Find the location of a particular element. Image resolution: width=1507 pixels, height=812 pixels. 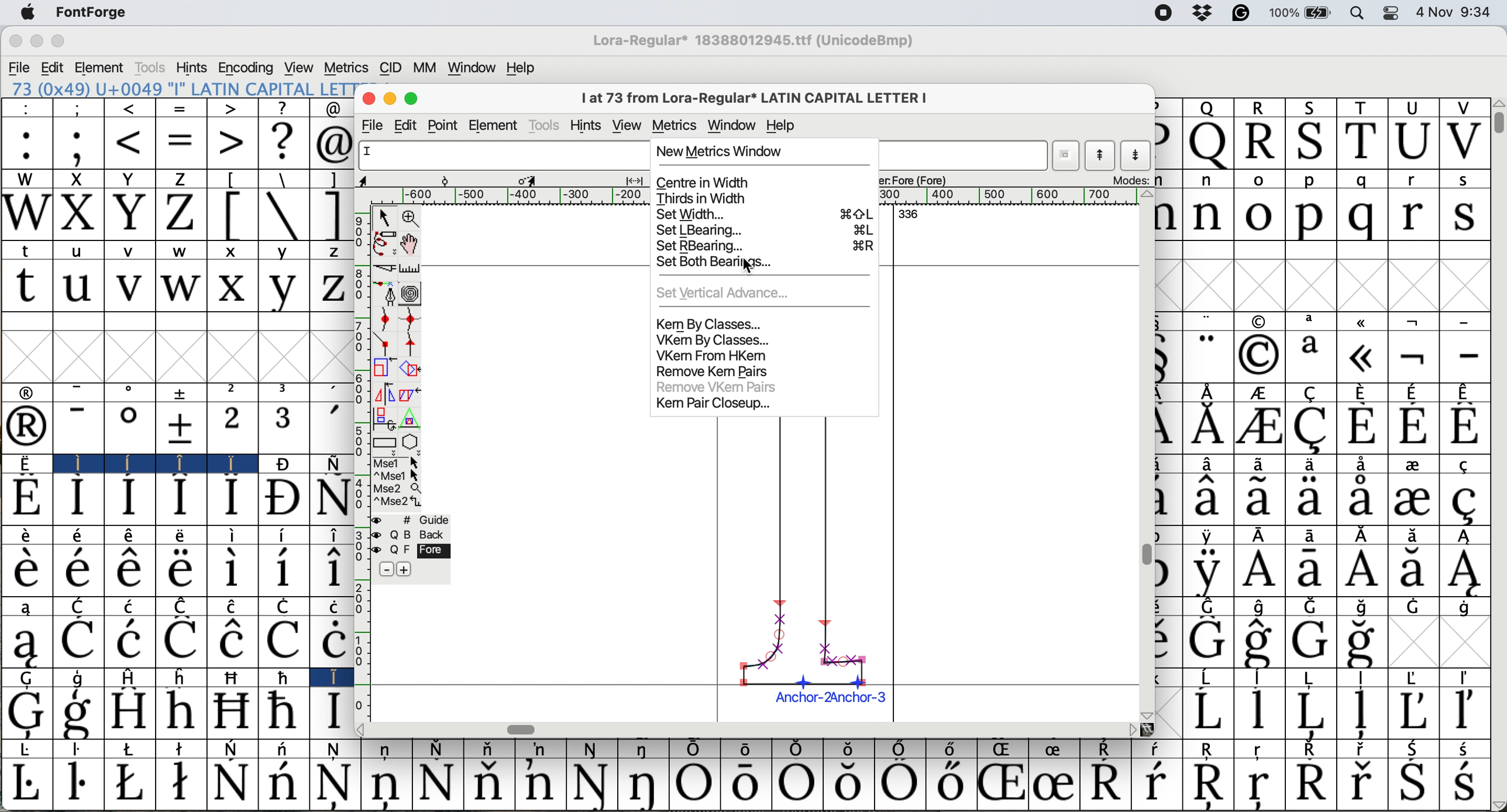

help is located at coordinates (789, 125).